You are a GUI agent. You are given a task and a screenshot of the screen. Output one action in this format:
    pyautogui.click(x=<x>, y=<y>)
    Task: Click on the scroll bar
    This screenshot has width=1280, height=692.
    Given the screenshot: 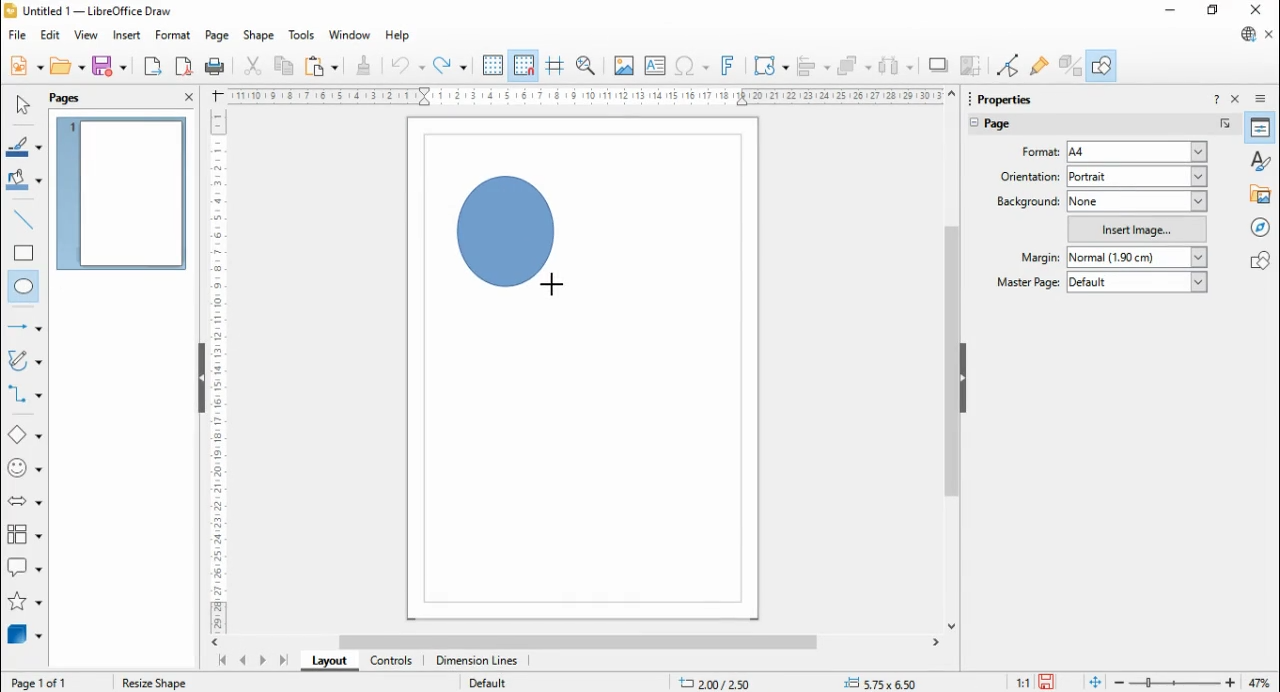 What is the action you would take?
    pyautogui.click(x=952, y=359)
    